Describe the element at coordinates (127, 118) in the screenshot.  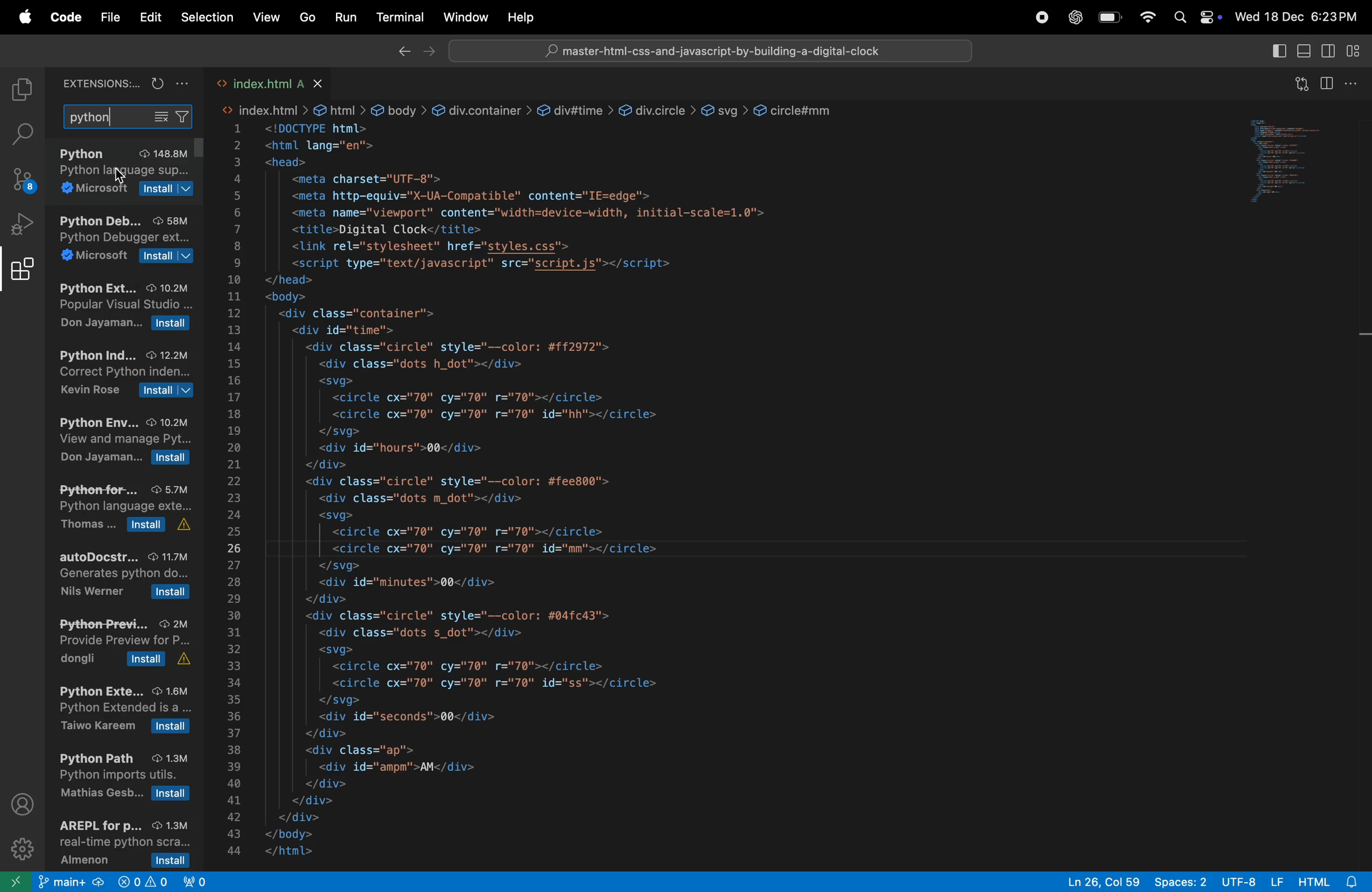
I see `python` at that location.